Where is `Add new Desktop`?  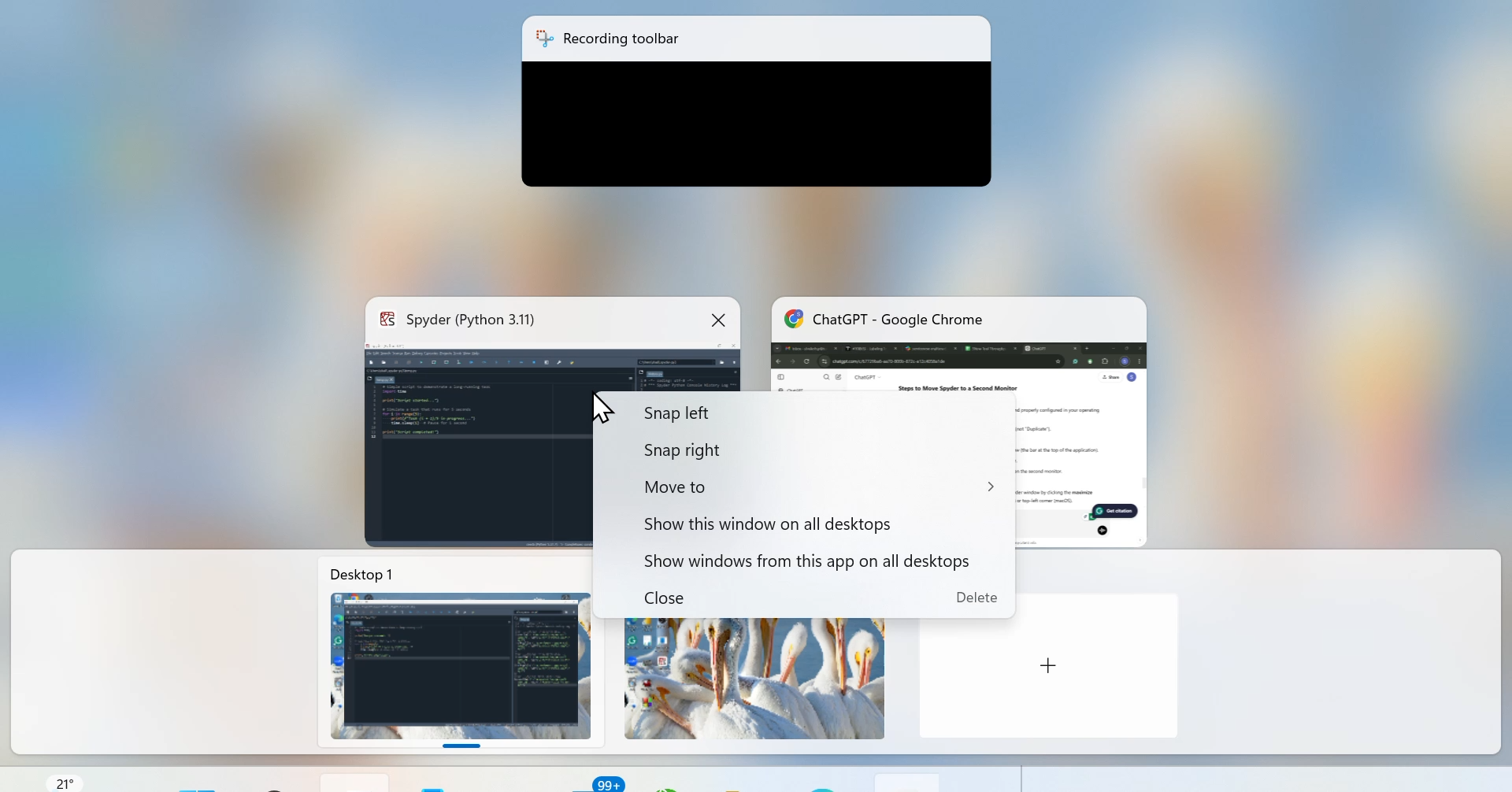 Add new Desktop is located at coordinates (1048, 666).